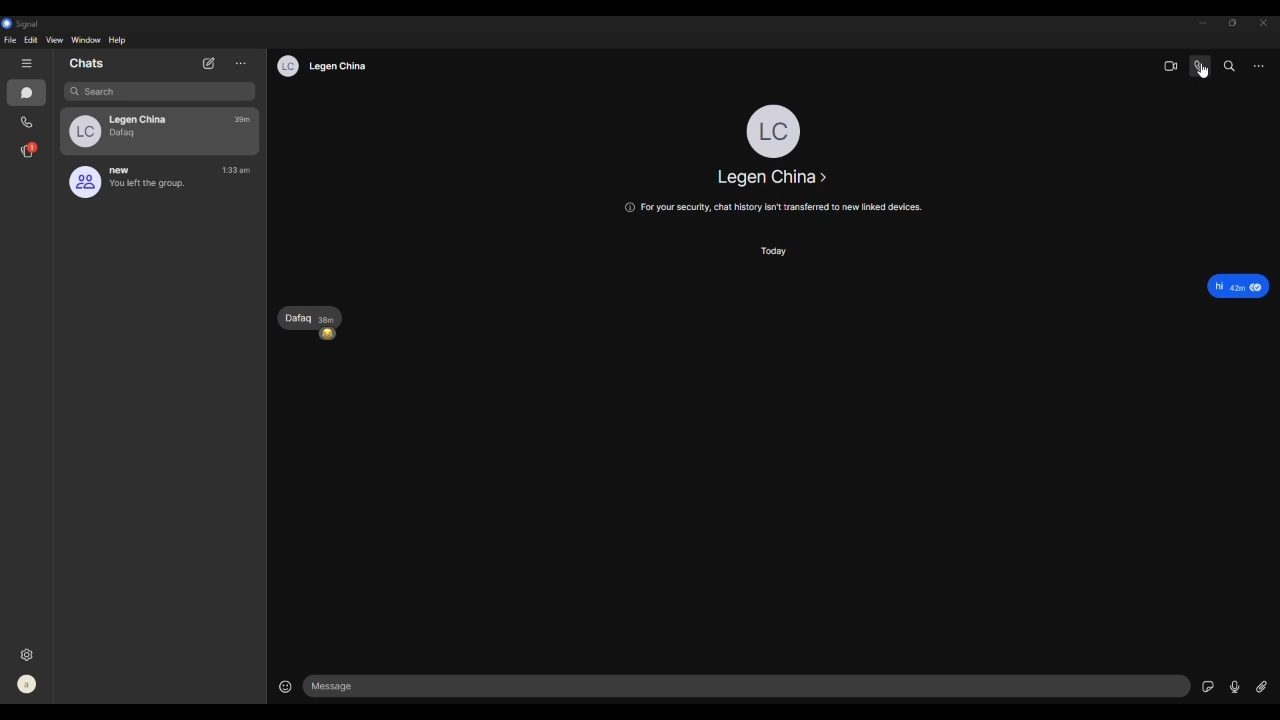  Describe the element at coordinates (27, 64) in the screenshot. I see `hide tabs` at that location.